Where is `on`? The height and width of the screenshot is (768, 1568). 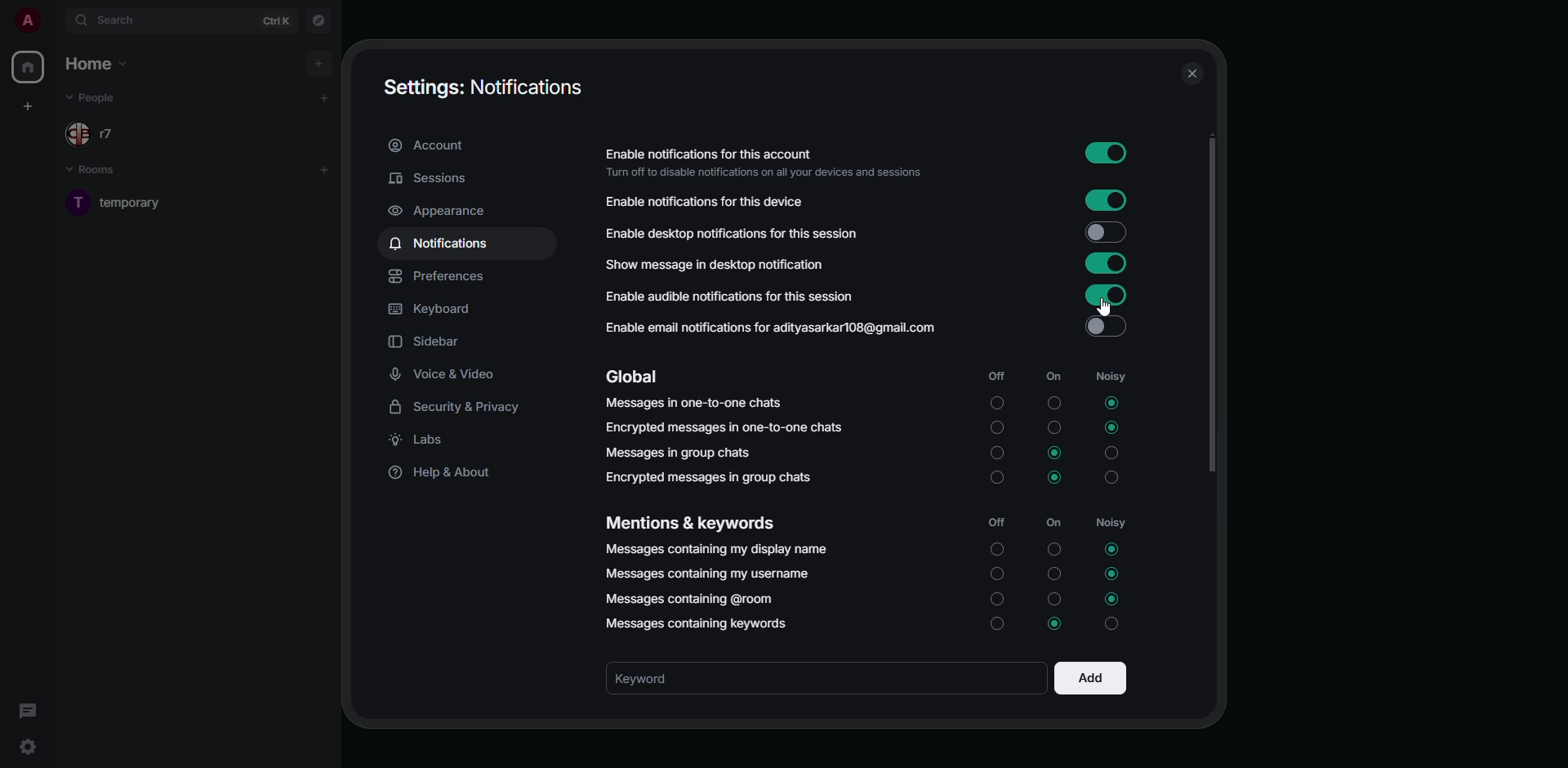 on is located at coordinates (1053, 376).